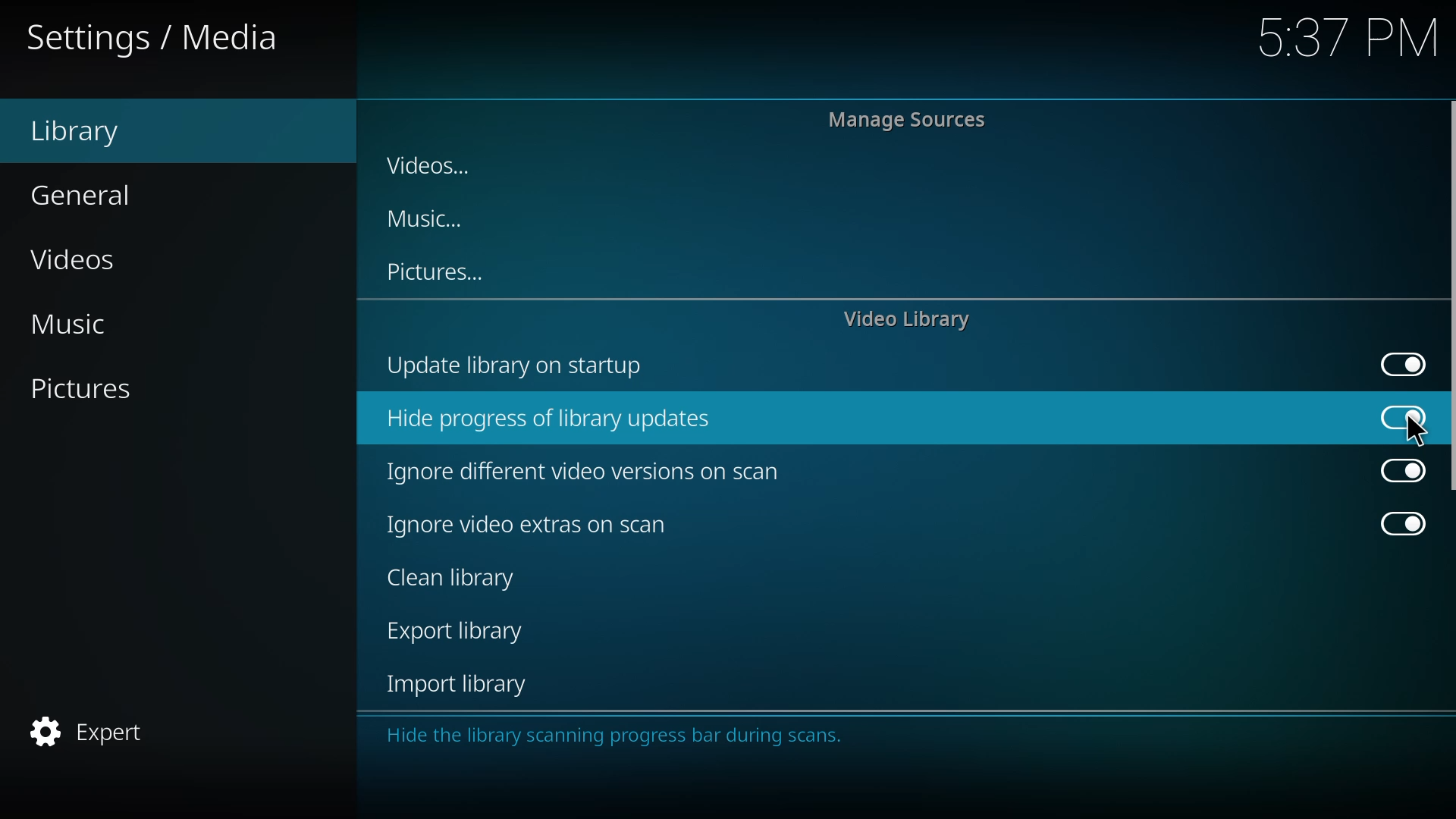 This screenshot has width=1456, height=819. What do you see at coordinates (1407, 429) in the screenshot?
I see `cursor` at bounding box center [1407, 429].